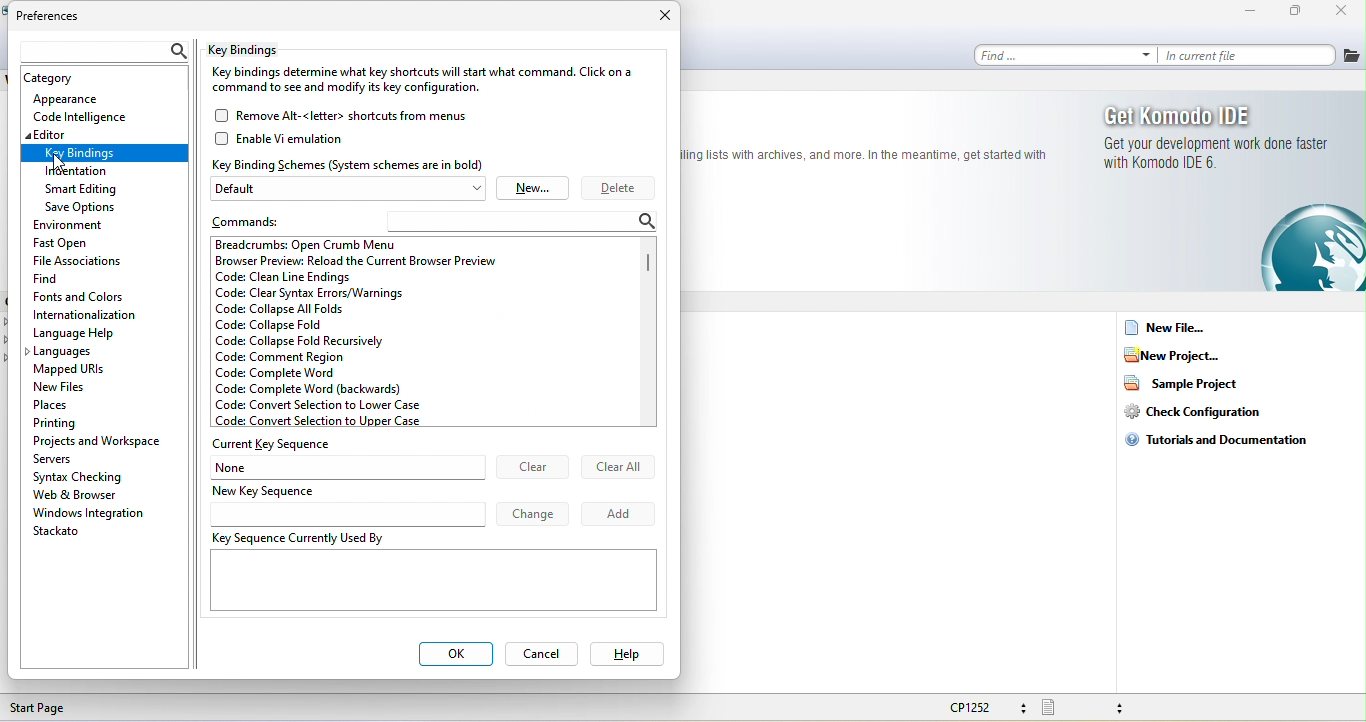  Describe the element at coordinates (294, 139) in the screenshot. I see `enable vi emulation` at that location.